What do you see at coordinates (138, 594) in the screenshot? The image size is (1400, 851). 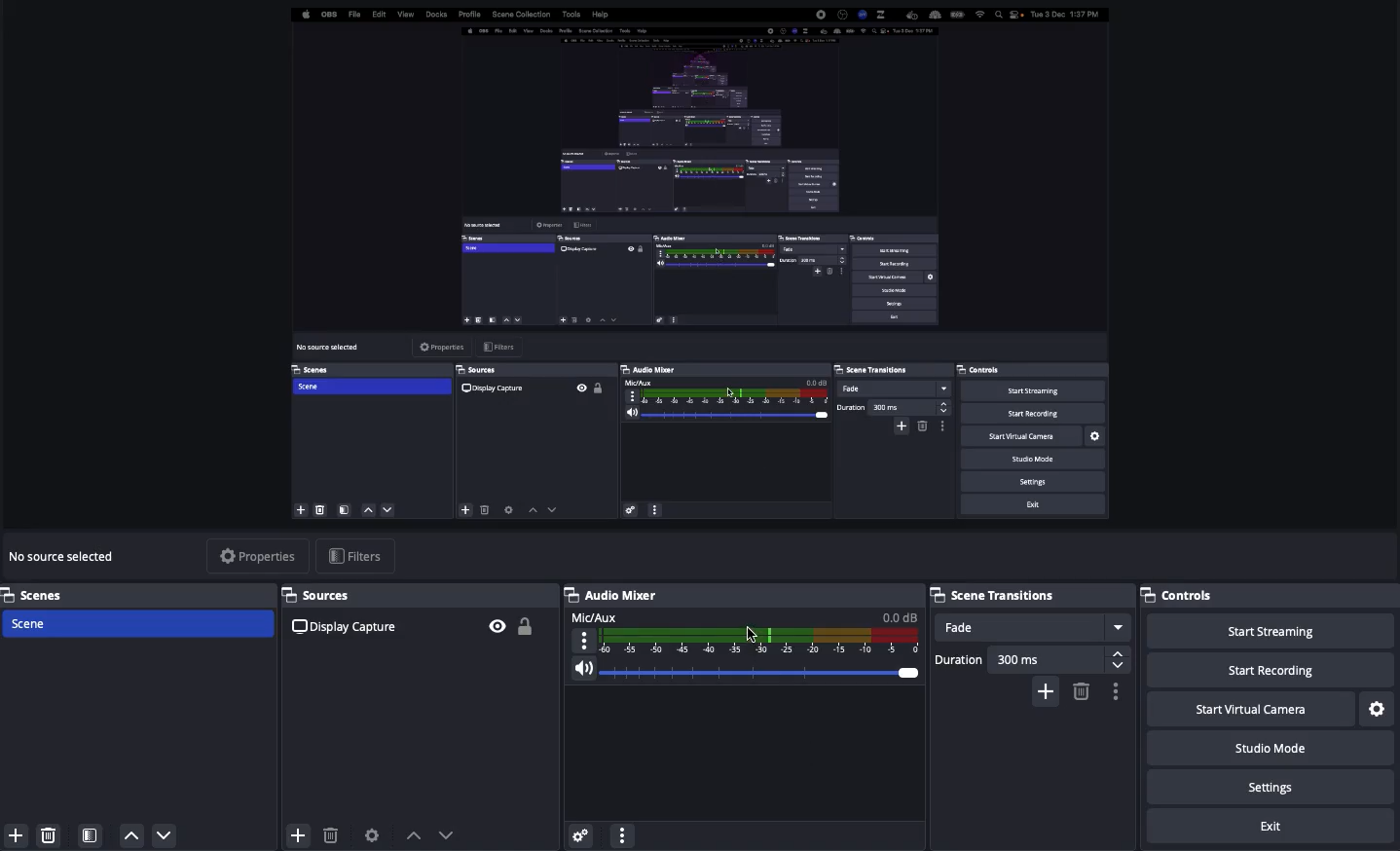 I see `Scenes` at bounding box center [138, 594].